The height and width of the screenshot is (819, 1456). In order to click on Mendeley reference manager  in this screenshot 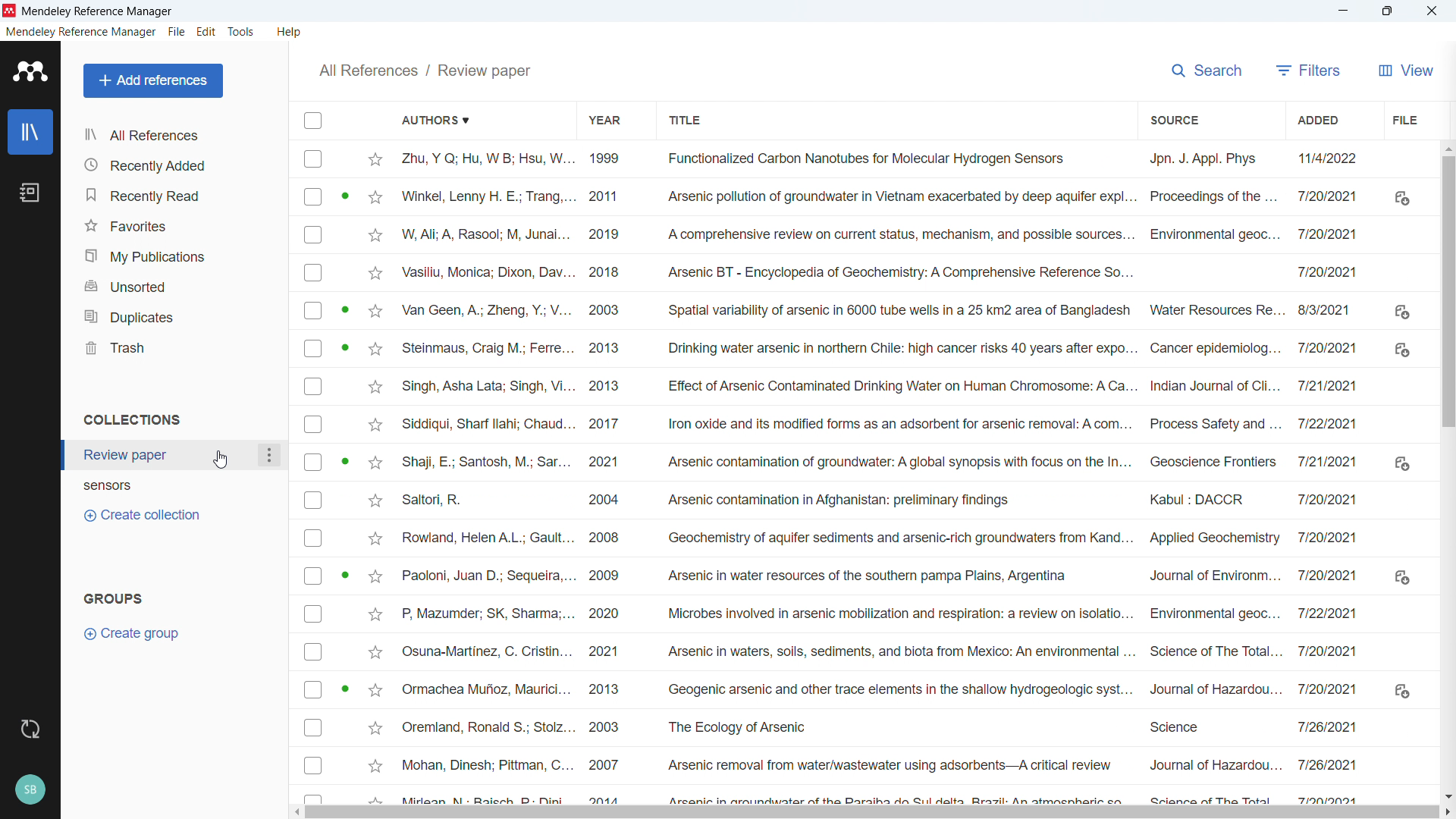, I will do `click(81, 32)`.